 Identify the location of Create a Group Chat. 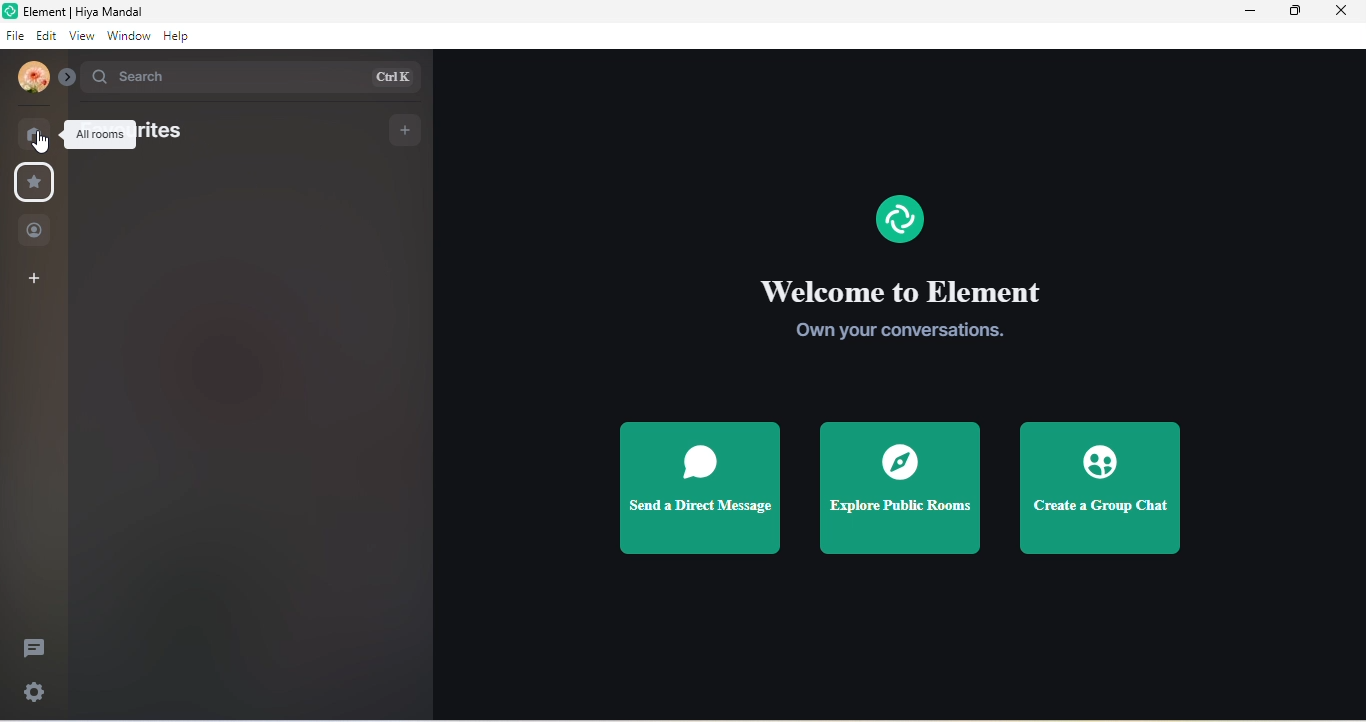
(1097, 488).